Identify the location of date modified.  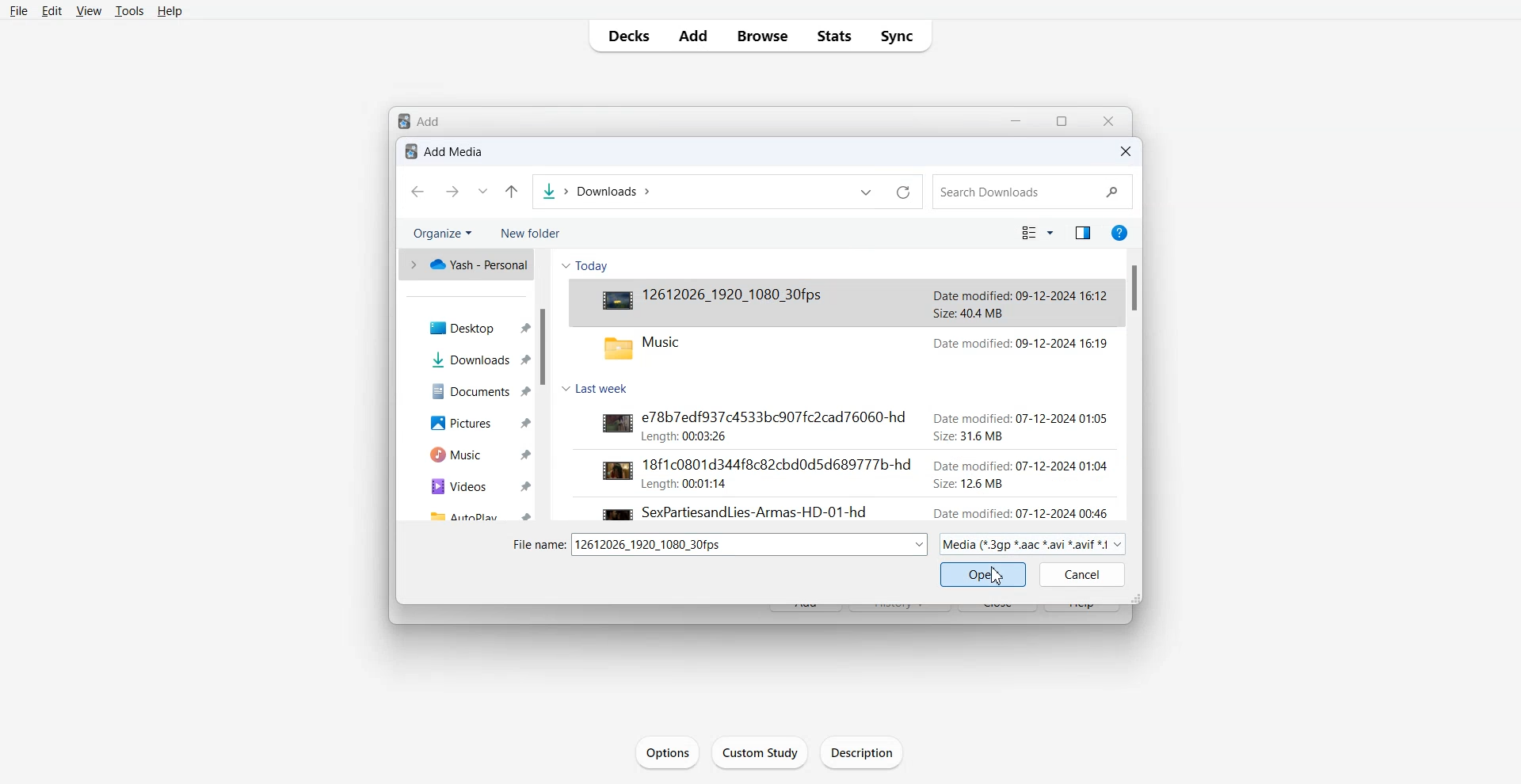
(1024, 417).